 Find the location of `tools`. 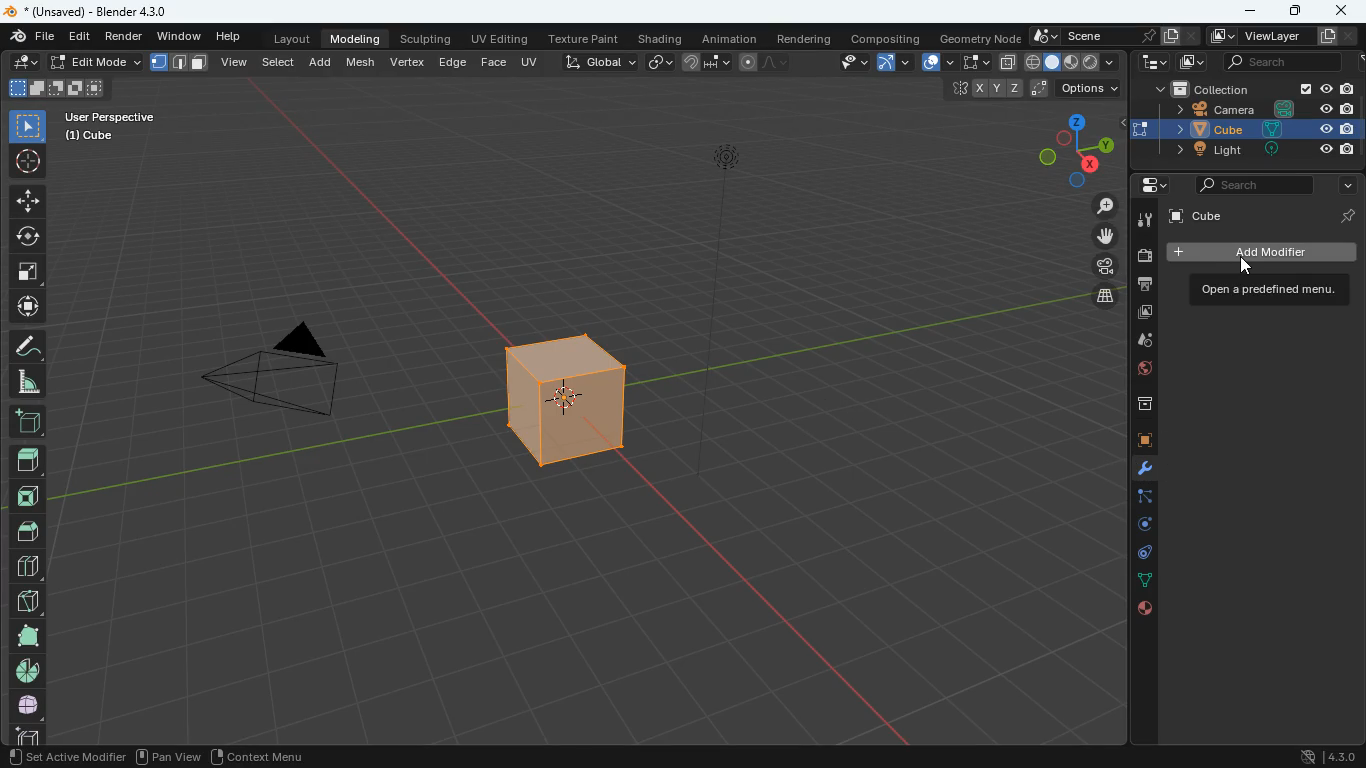

tools is located at coordinates (1142, 218).